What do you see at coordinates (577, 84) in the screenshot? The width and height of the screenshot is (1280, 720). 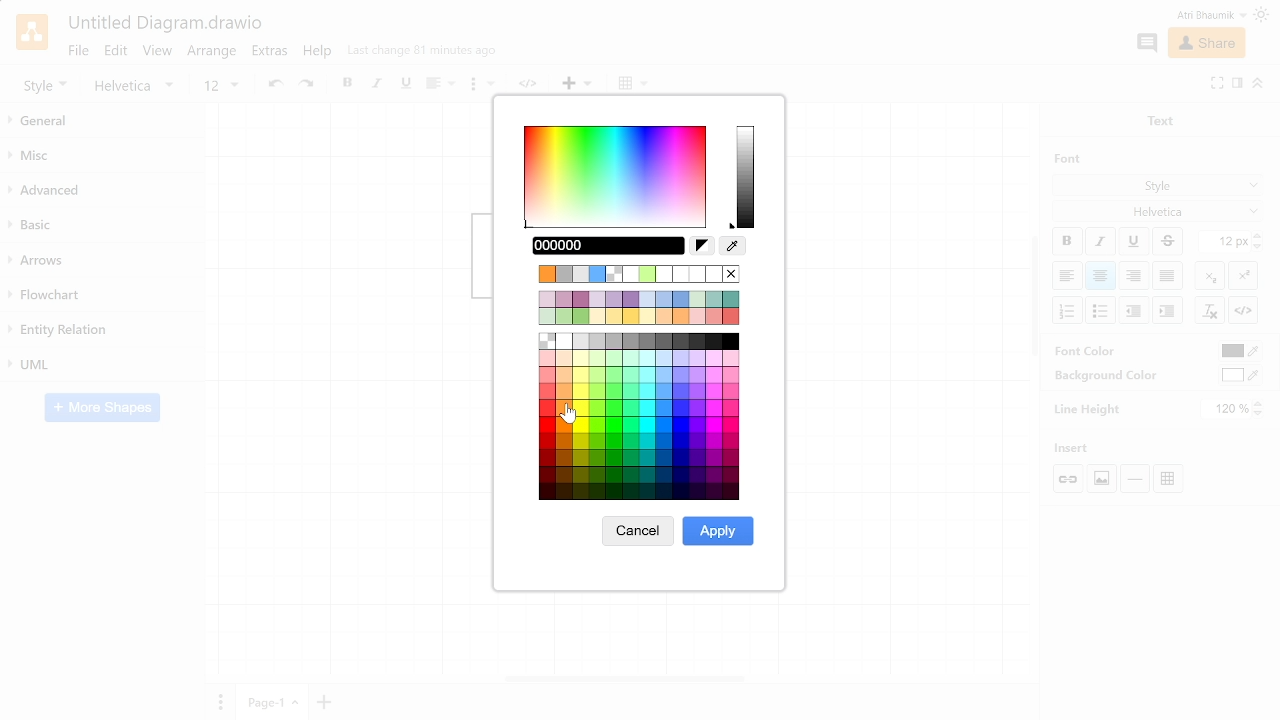 I see `insert` at bounding box center [577, 84].